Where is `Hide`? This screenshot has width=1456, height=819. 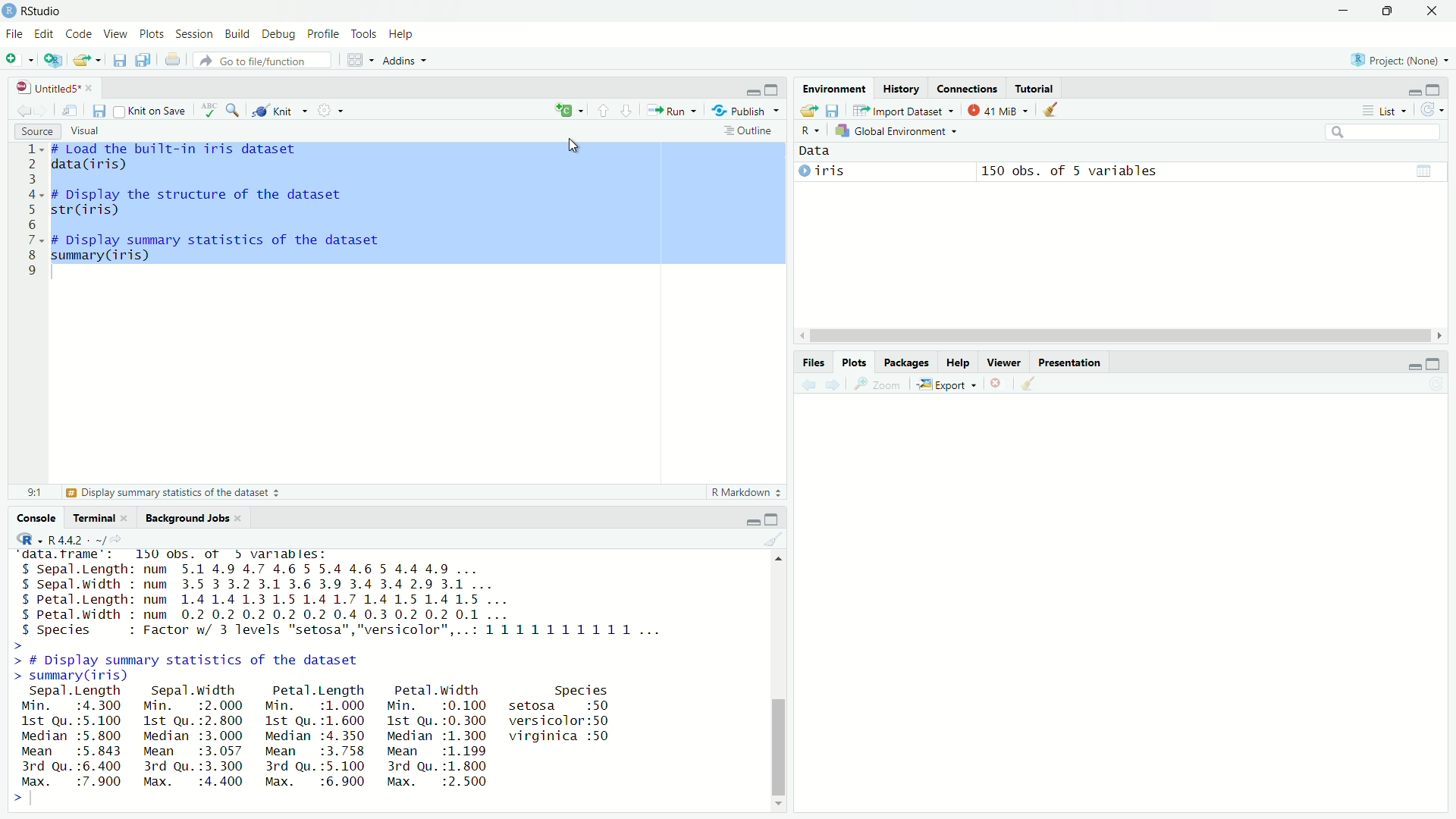
Hide is located at coordinates (750, 519).